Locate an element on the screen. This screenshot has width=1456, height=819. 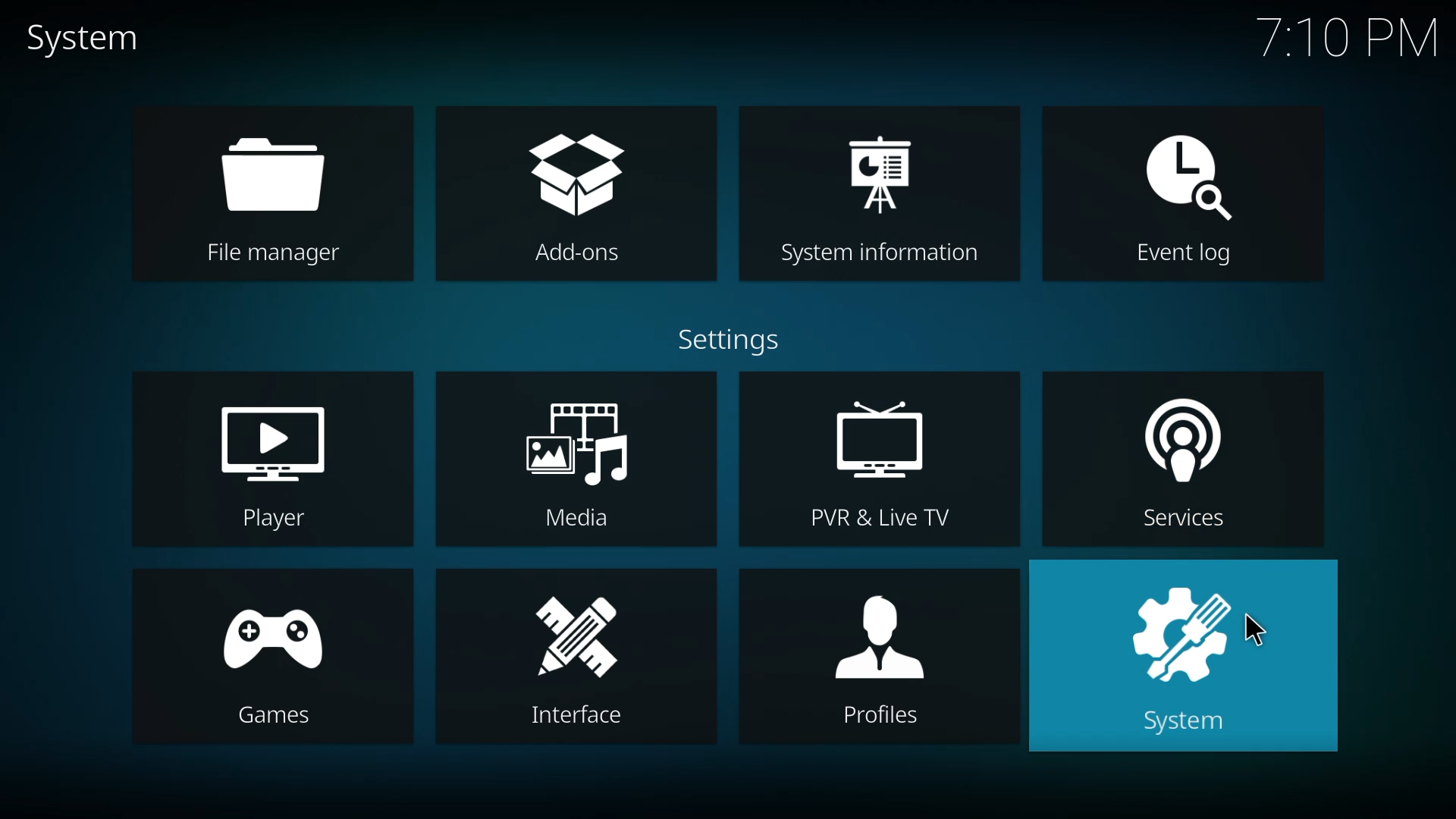
games is located at coordinates (281, 661).